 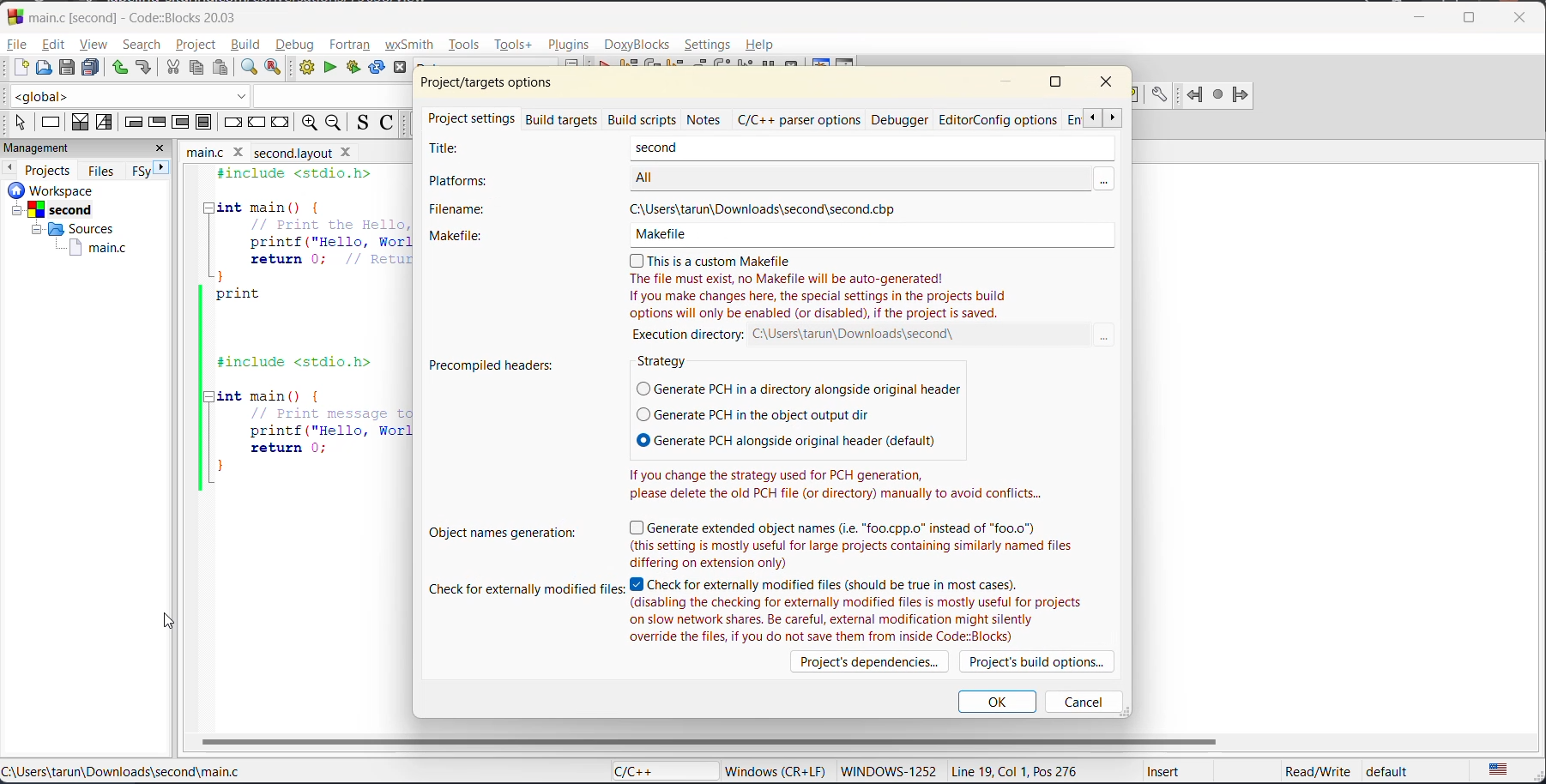 I want to click on check for externally modified files, so click(x=860, y=610).